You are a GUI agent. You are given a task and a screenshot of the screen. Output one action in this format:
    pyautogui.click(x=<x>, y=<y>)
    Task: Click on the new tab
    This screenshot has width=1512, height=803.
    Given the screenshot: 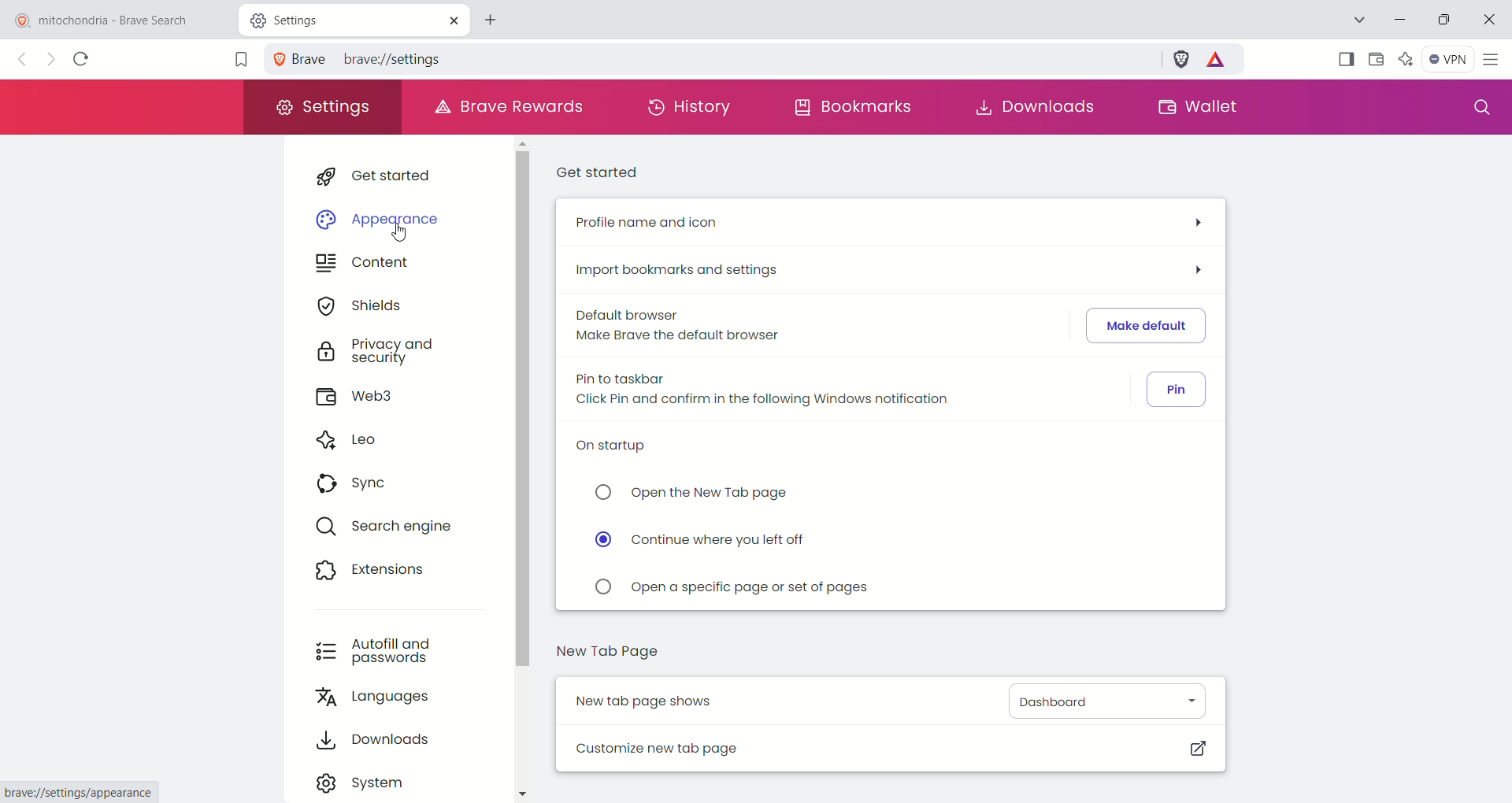 What is the action you would take?
    pyautogui.click(x=497, y=18)
    